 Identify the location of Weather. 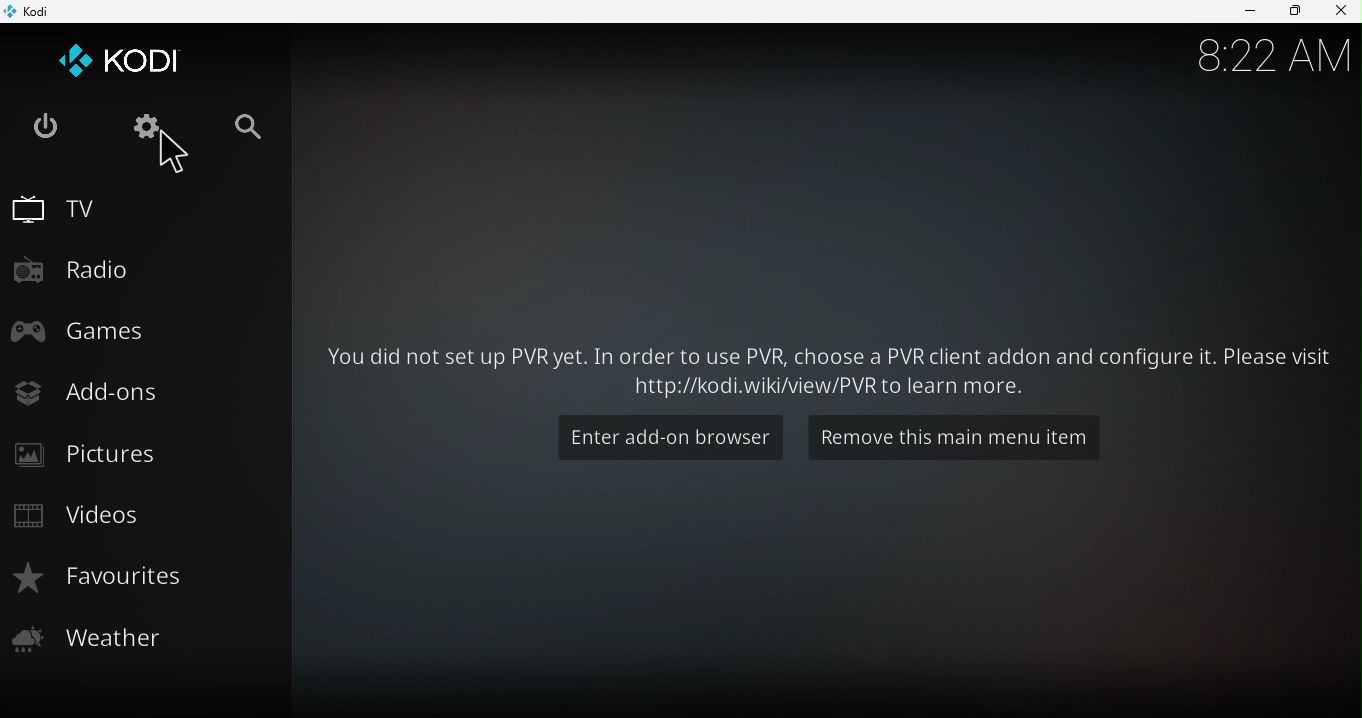
(142, 643).